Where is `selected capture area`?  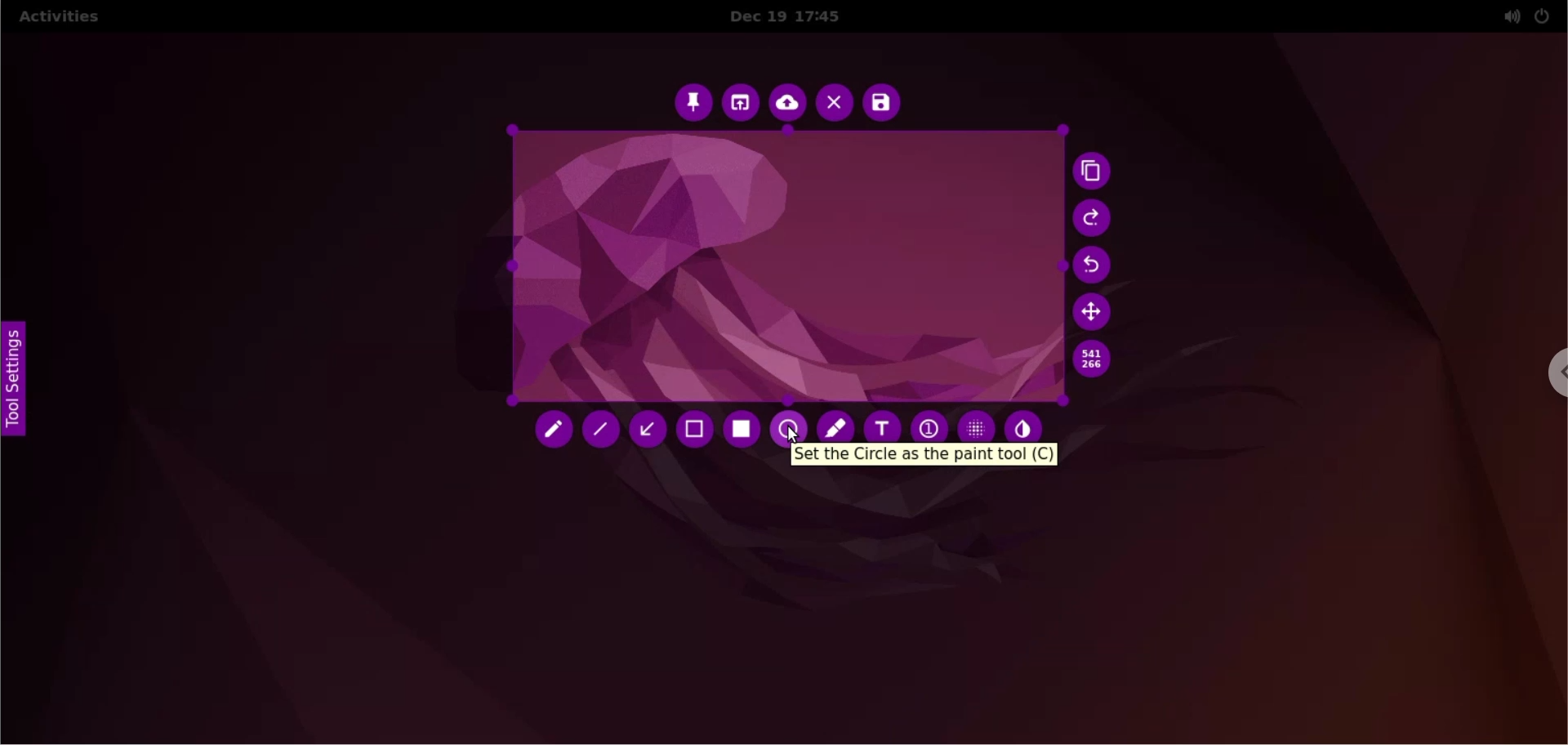 selected capture area is located at coordinates (785, 268).